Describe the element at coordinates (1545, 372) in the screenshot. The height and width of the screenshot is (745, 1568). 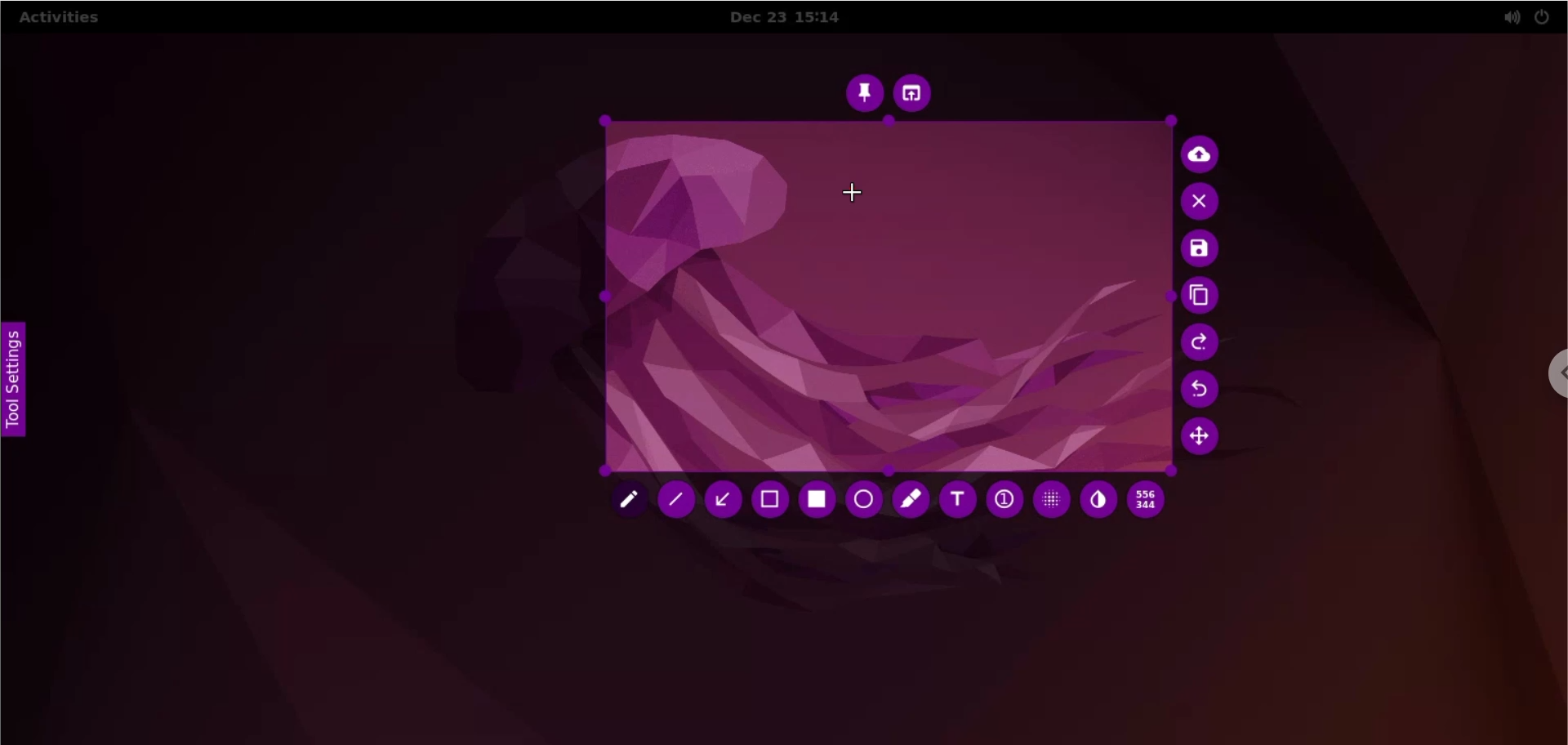
I see `chrome options` at that location.